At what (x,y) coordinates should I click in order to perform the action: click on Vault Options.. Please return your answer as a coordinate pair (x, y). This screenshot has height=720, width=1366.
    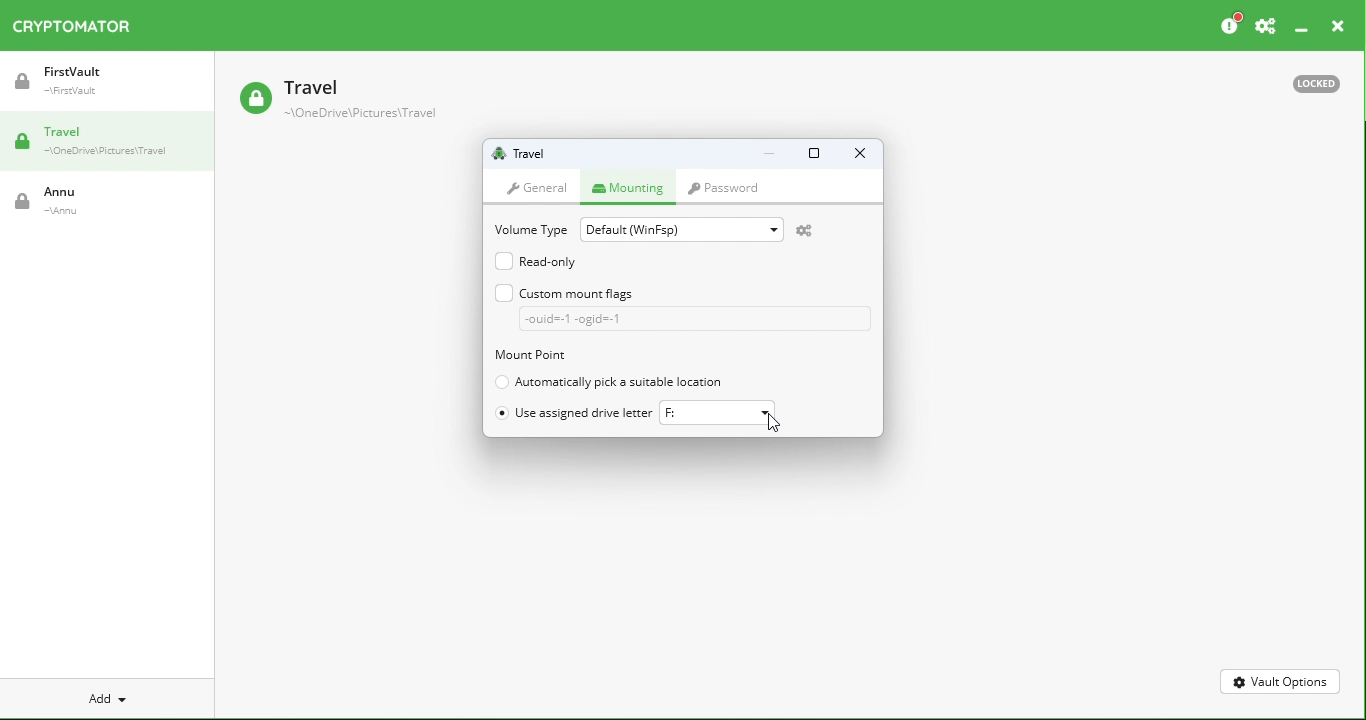
    Looking at the image, I should click on (1281, 681).